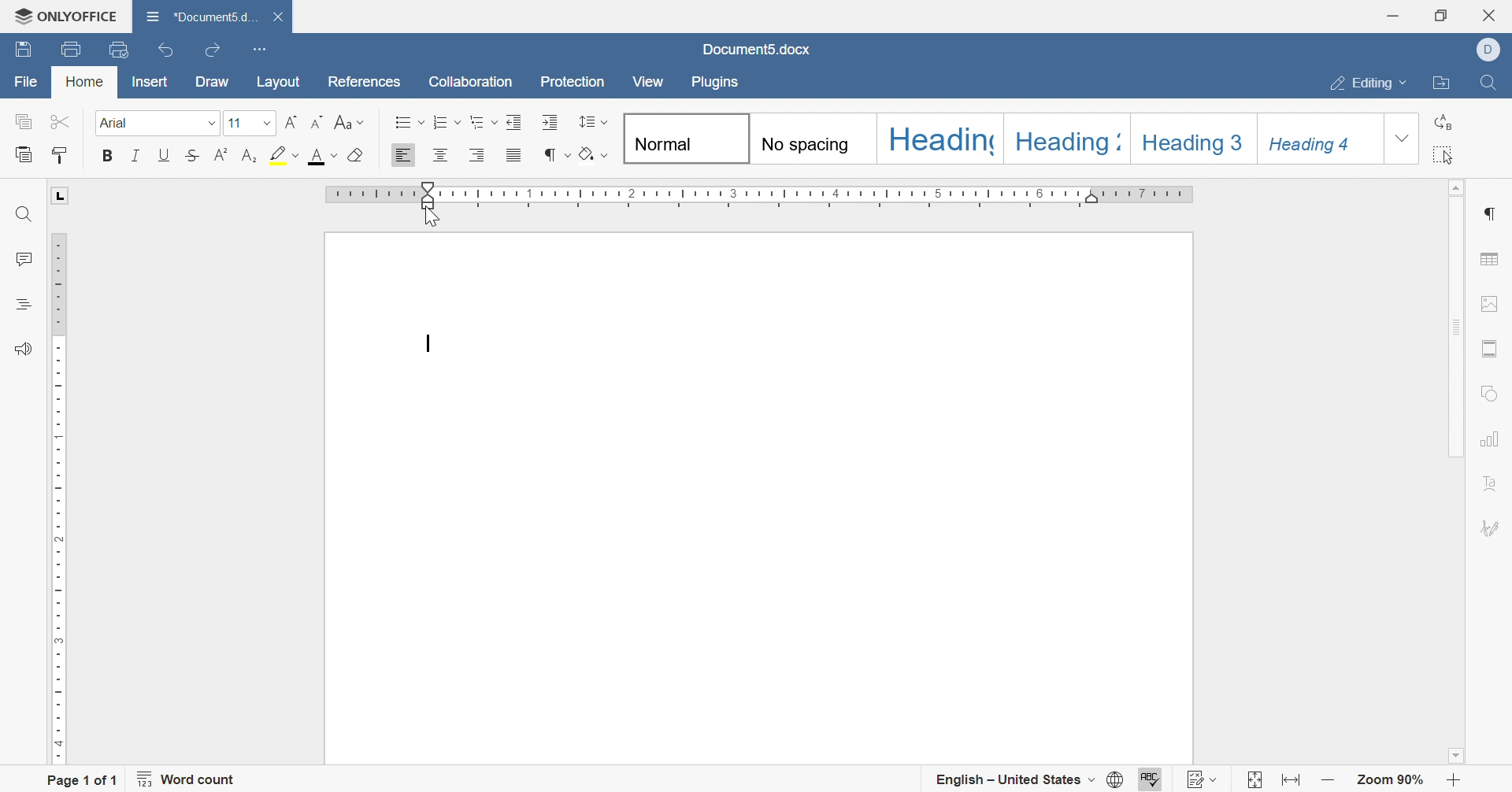 Image resolution: width=1512 pixels, height=792 pixels. Describe the element at coordinates (478, 155) in the screenshot. I see `Align Right` at that location.